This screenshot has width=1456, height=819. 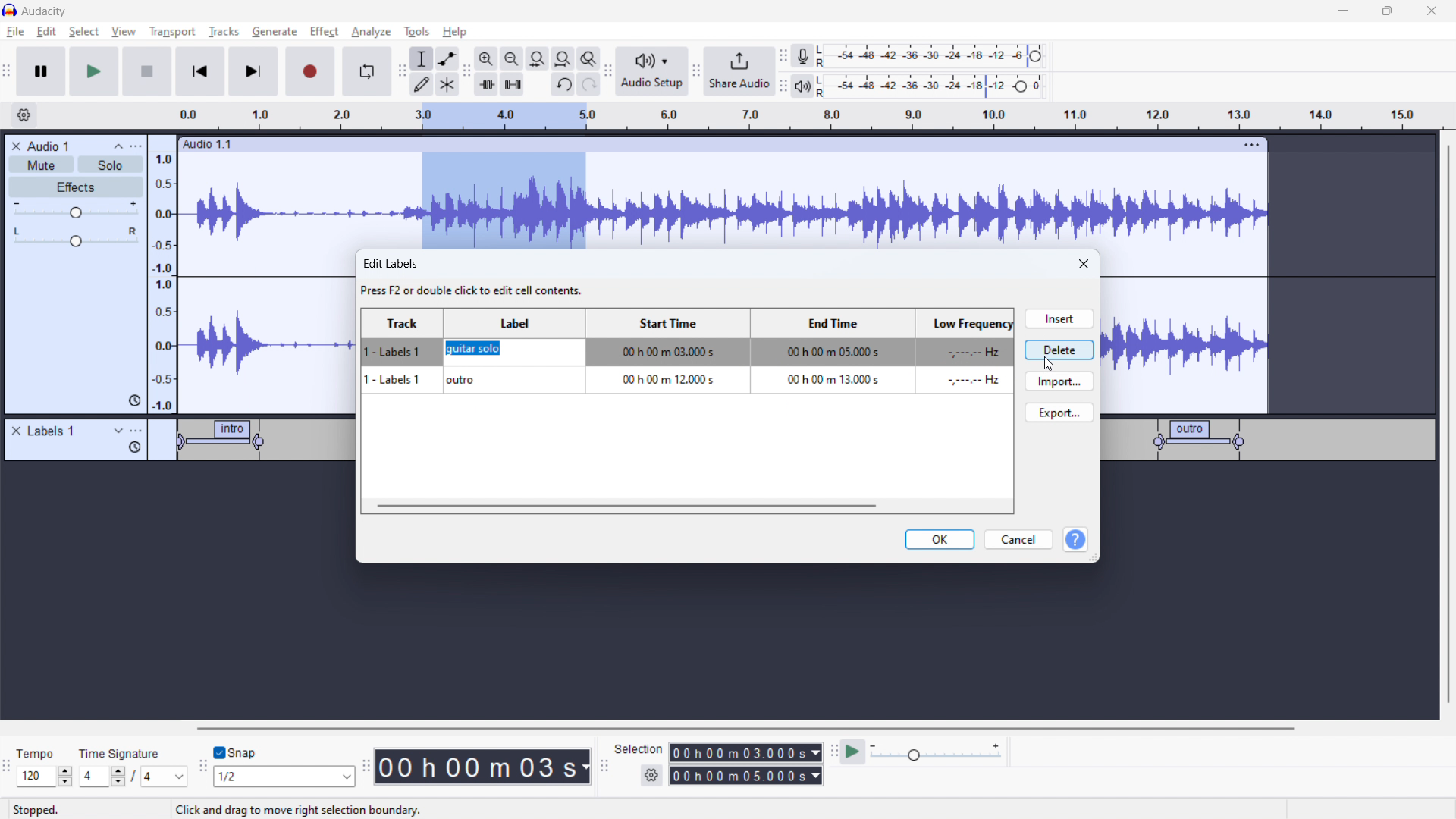 What do you see at coordinates (1059, 412) in the screenshot?
I see `export` at bounding box center [1059, 412].